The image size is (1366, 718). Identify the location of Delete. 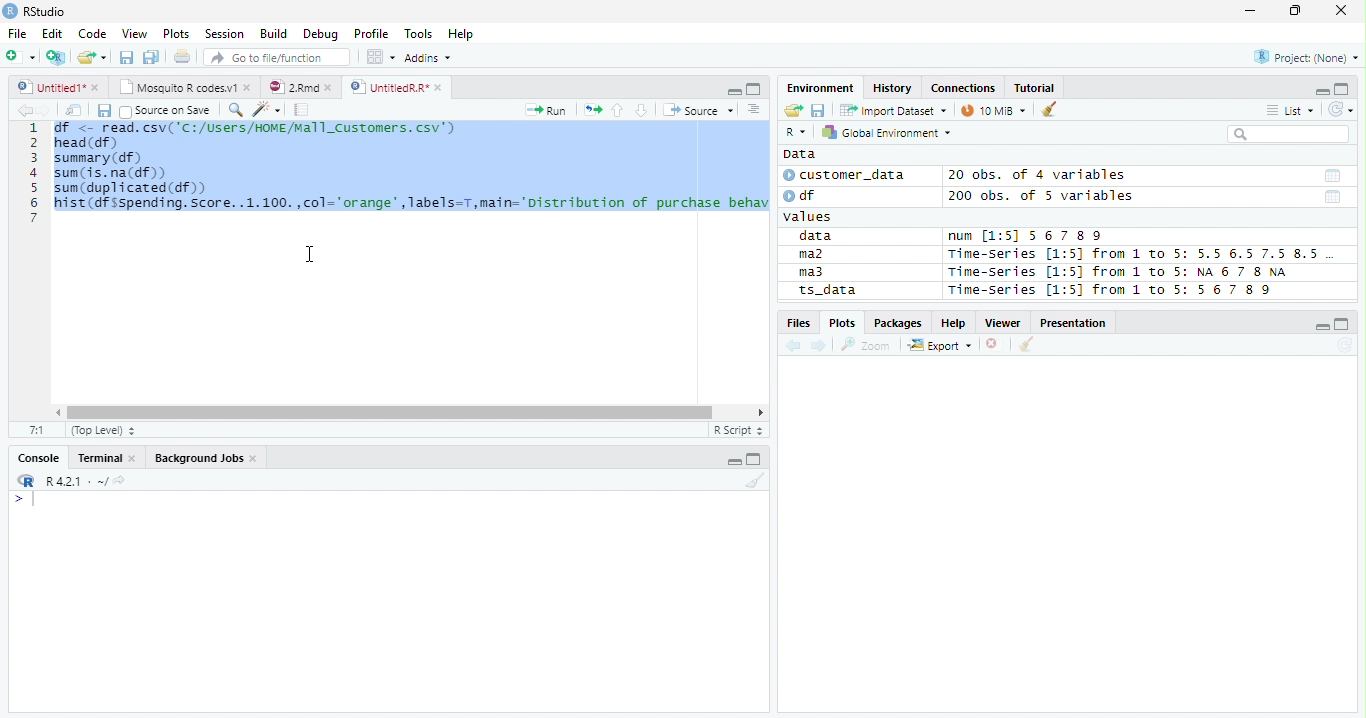
(995, 345).